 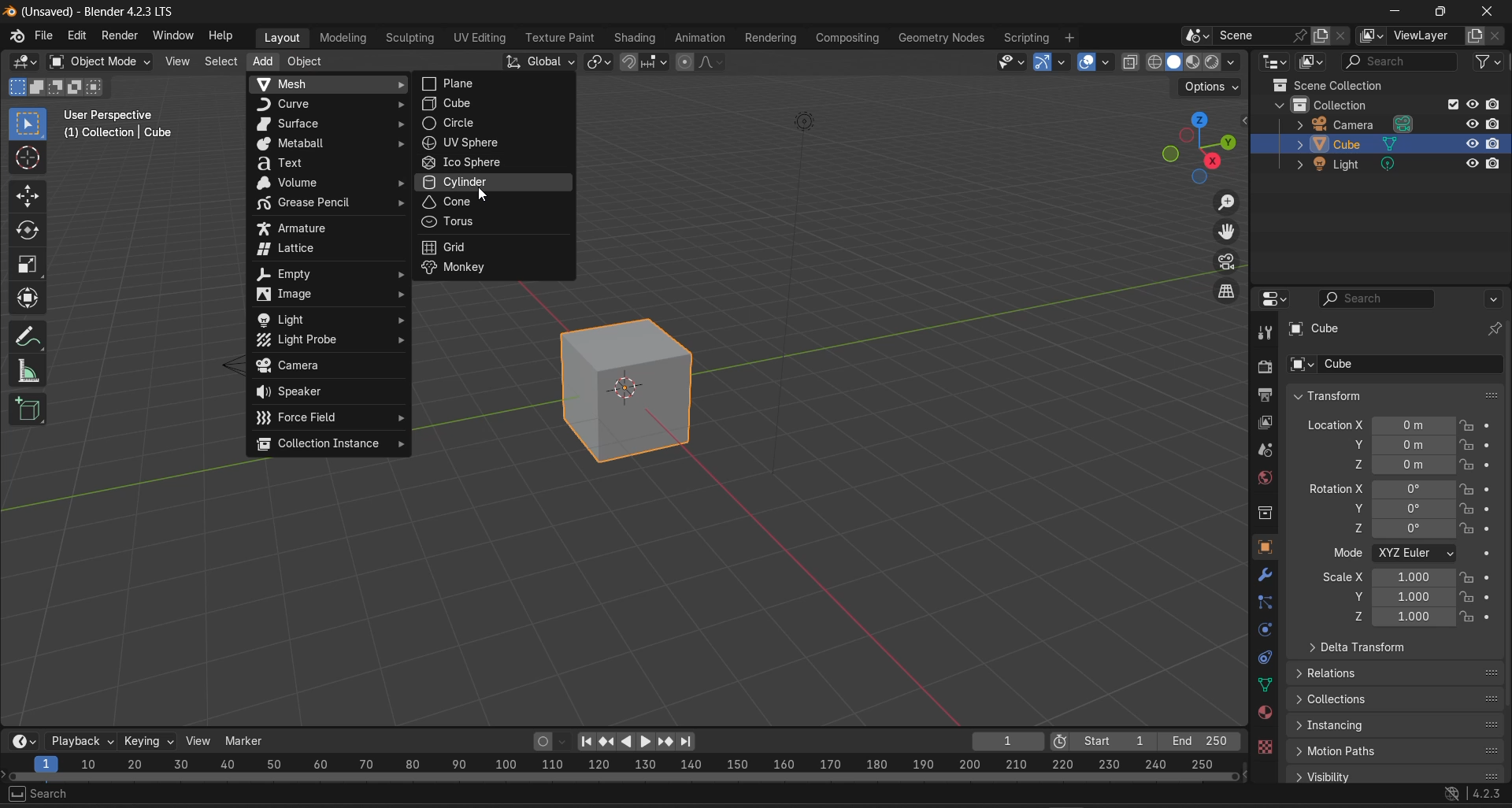 What do you see at coordinates (1230, 262) in the screenshot?
I see `toggle camera view` at bounding box center [1230, 262].